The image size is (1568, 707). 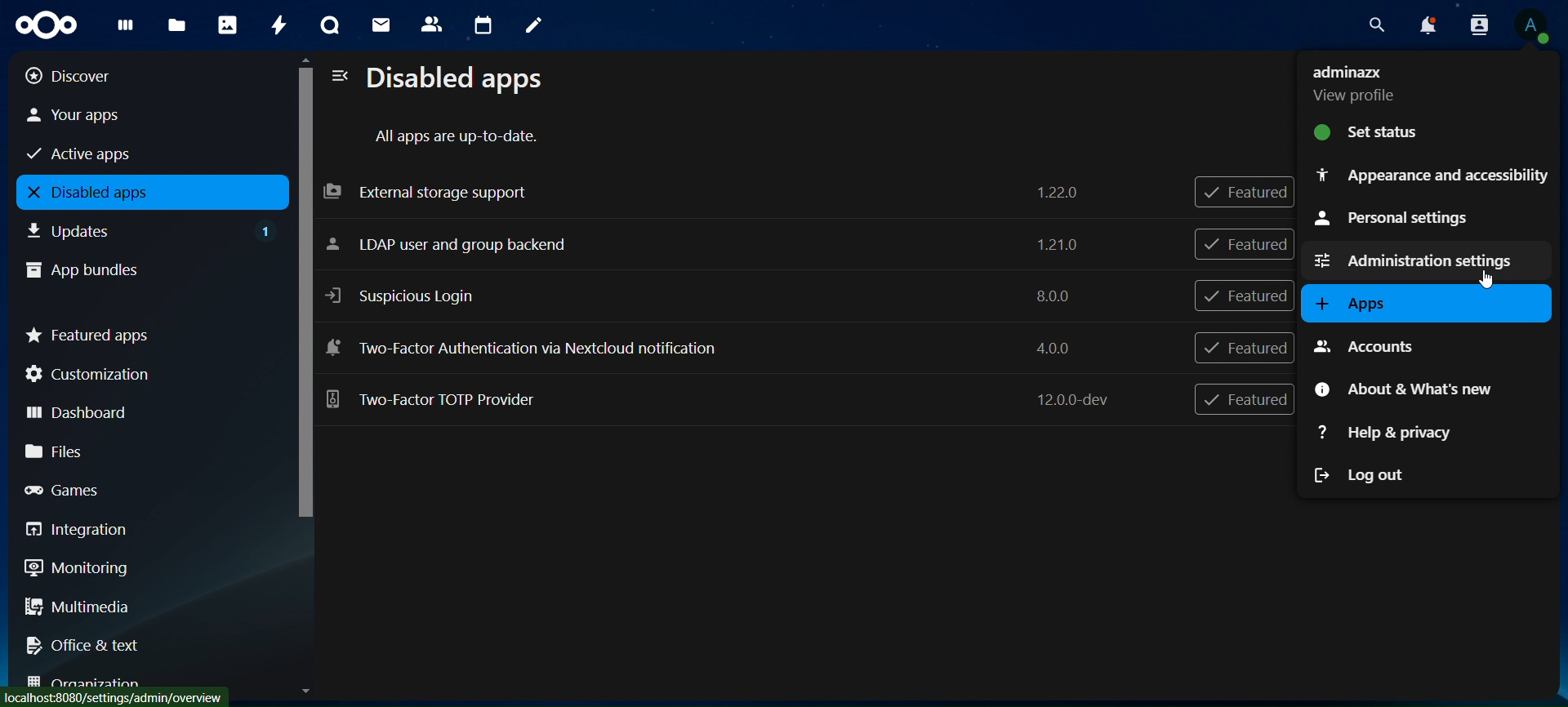 What do you see at coordinates (302, 307) in the screenshot?
I see `scrollbar` at bounding box center [302, 307].